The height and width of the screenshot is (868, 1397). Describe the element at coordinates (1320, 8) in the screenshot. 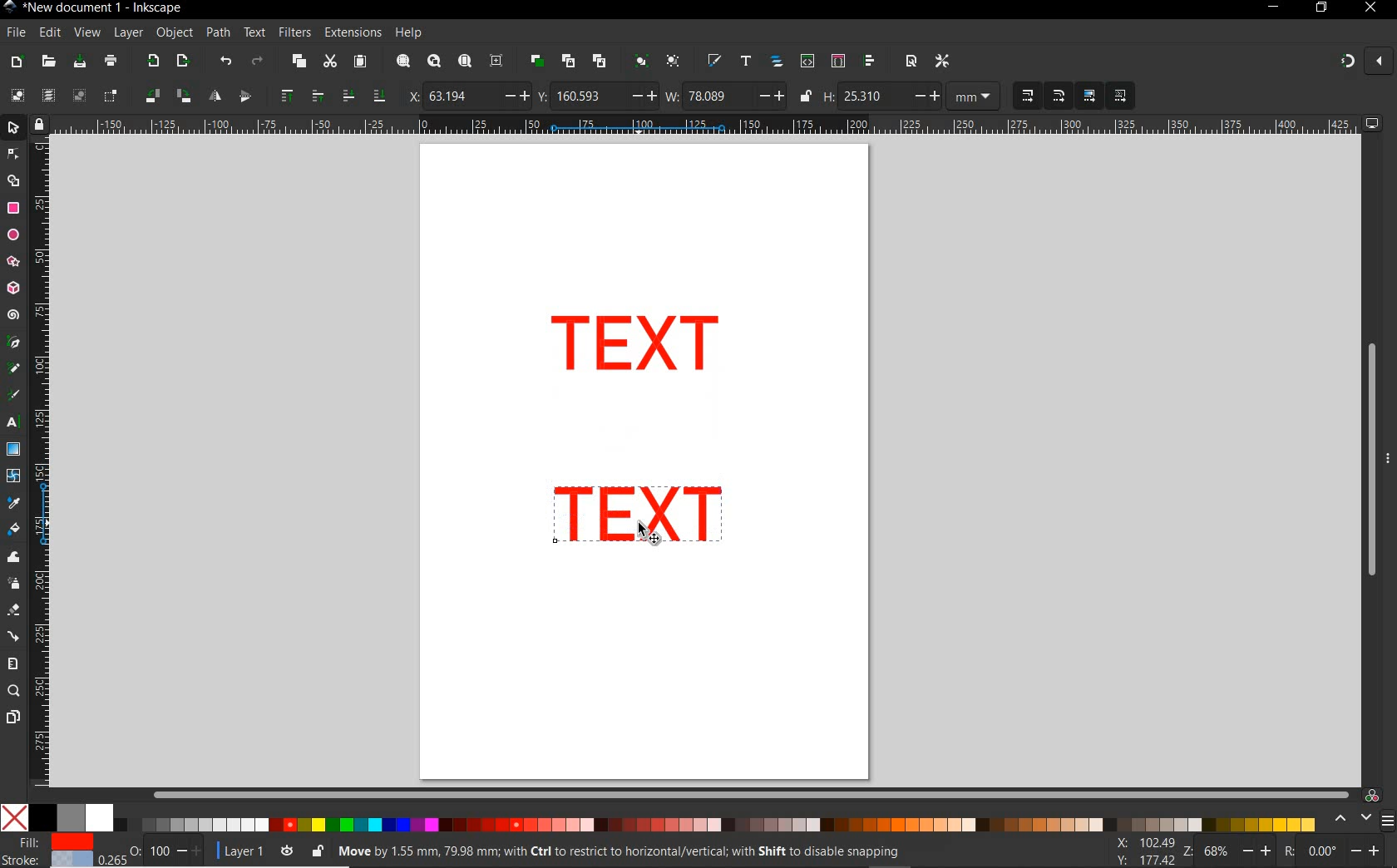

I see `RESTORE DOWN` at that location.